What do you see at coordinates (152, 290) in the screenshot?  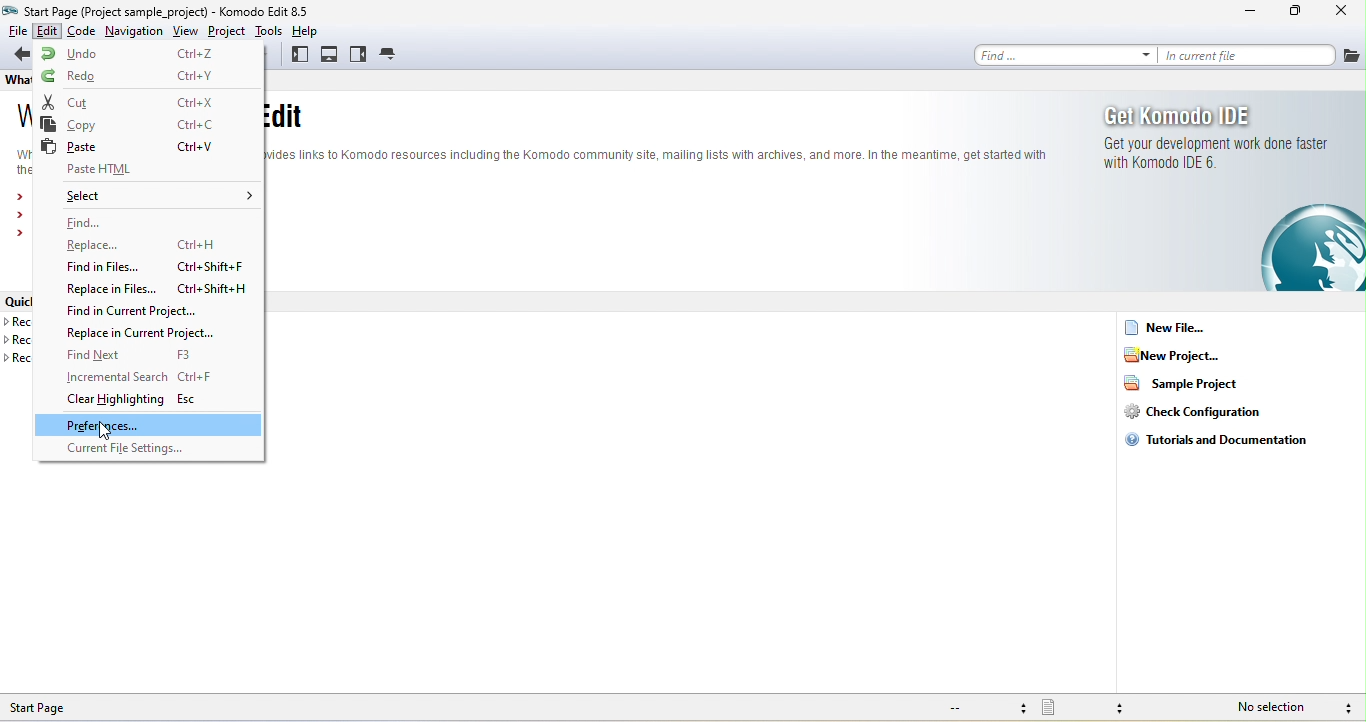 I see `replace in files` at bounding box center [152, 290].